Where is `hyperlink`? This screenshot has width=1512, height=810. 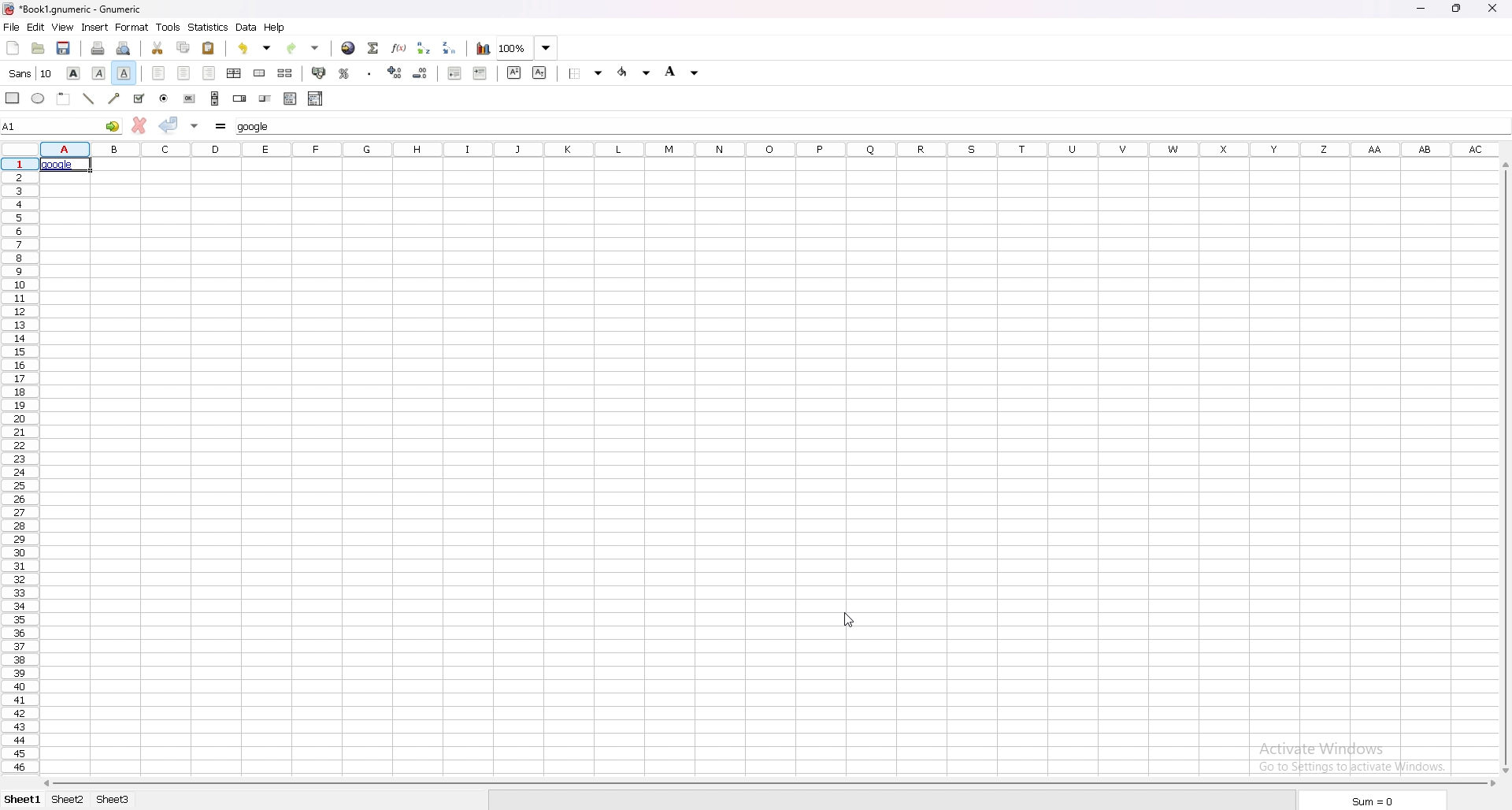
hyperlink is located at coordinates (348, 48).